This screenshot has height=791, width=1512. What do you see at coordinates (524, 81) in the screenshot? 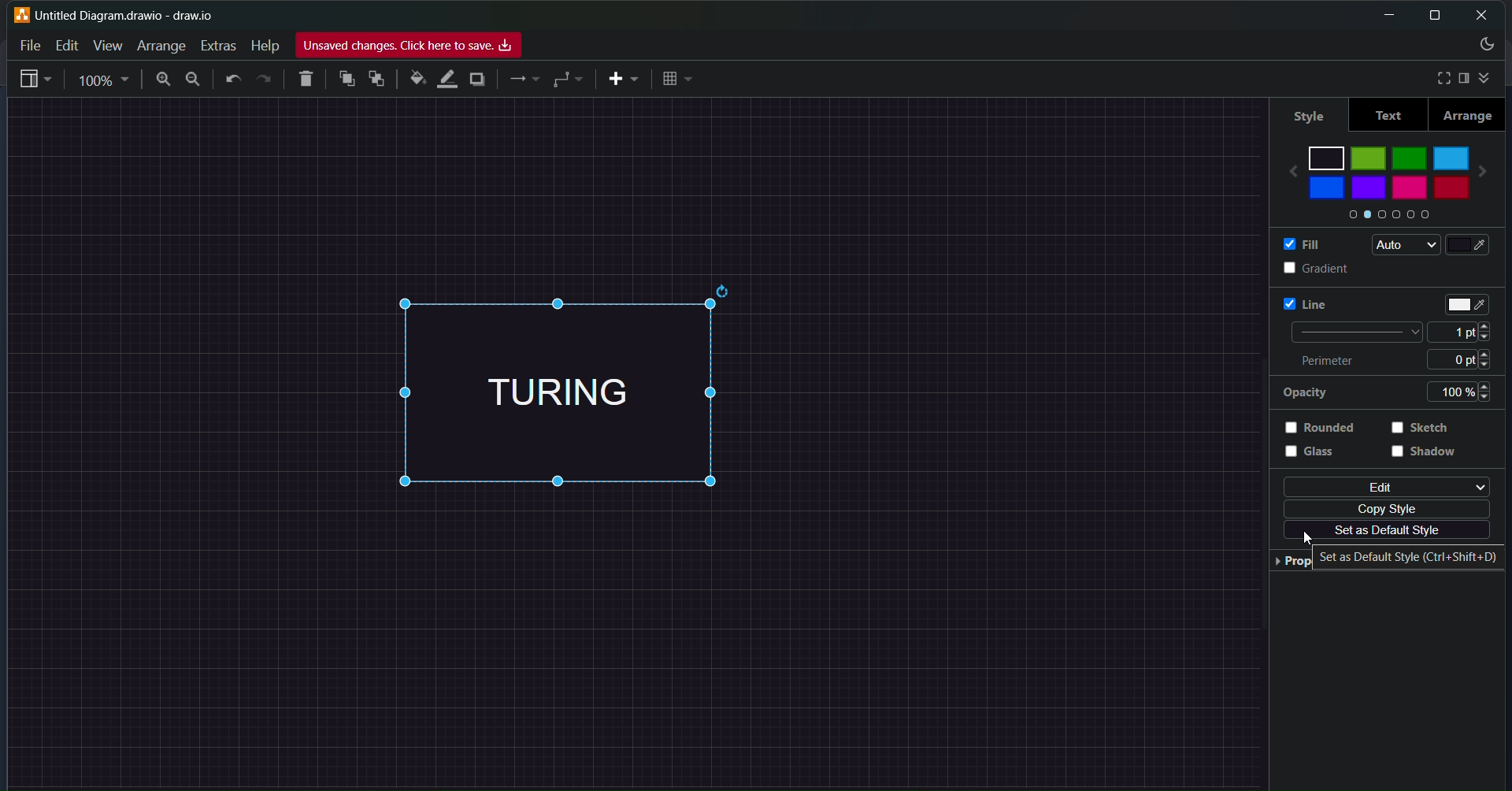
I see `lines` at bounding box center [524, 81].